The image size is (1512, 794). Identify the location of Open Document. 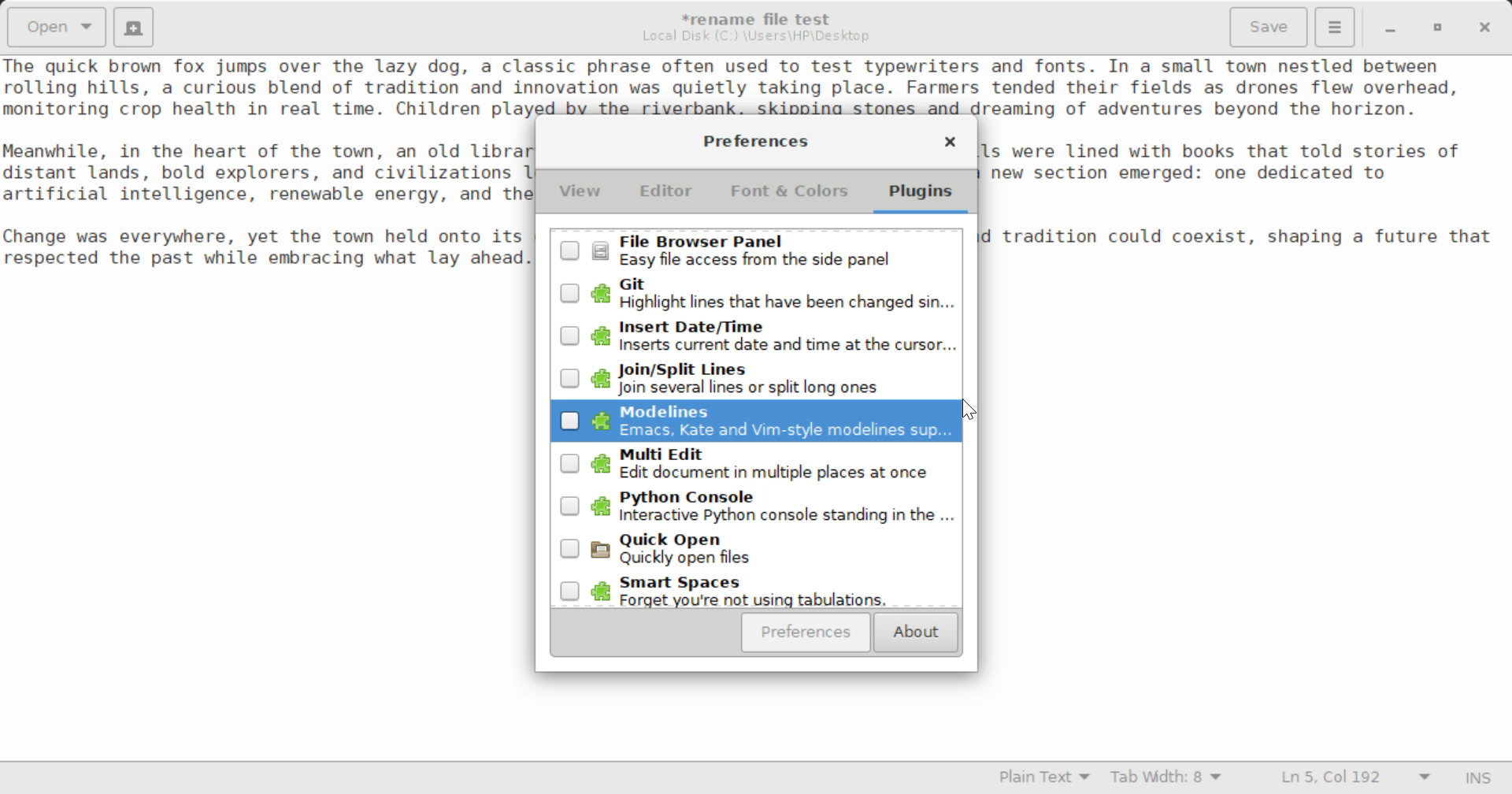
(57, 25).